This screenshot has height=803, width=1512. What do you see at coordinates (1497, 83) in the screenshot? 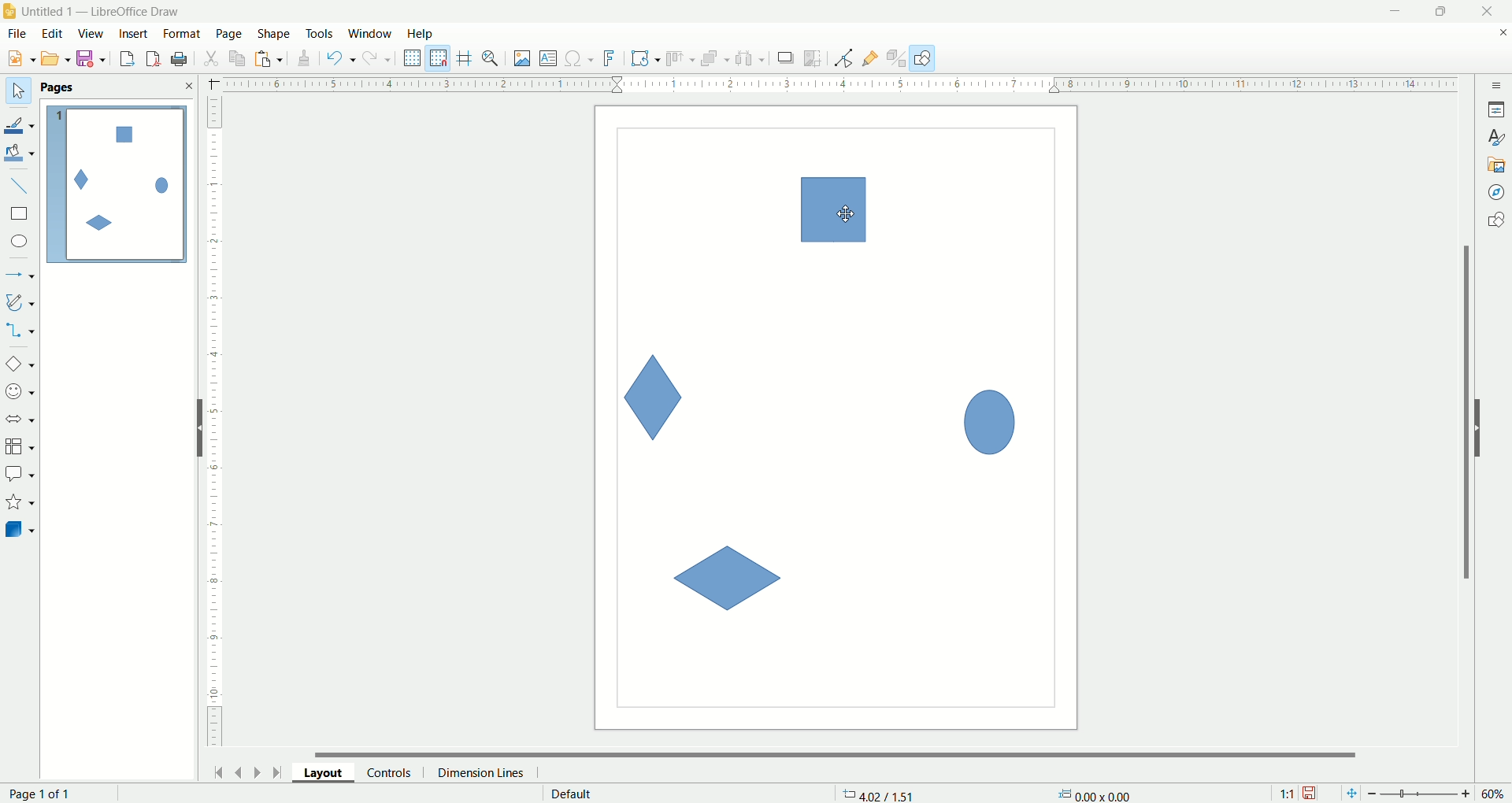
I see `sidebar settings` at bounding box center [1497, 83].